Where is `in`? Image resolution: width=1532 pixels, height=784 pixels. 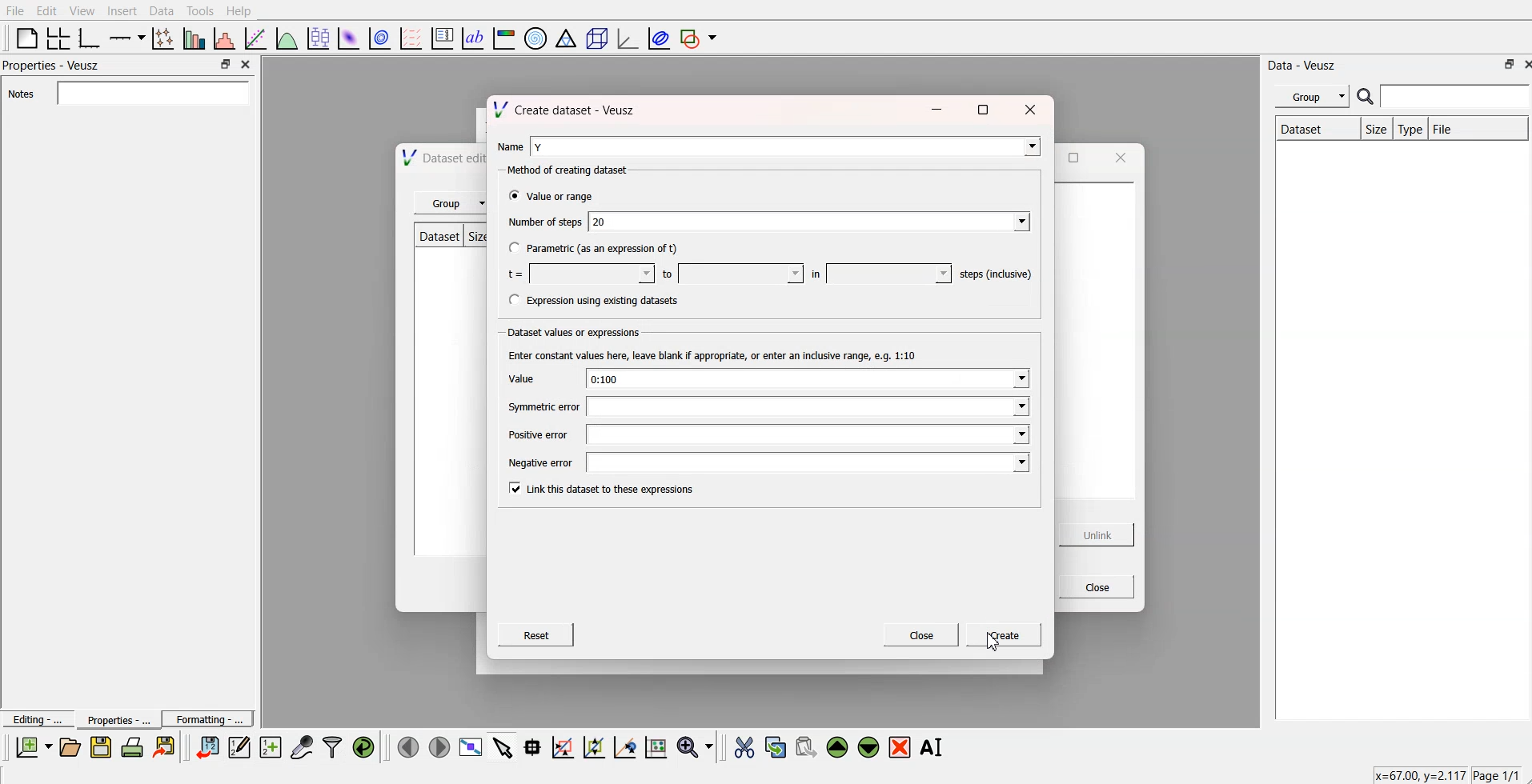
in is located at coordinates (875, 272).